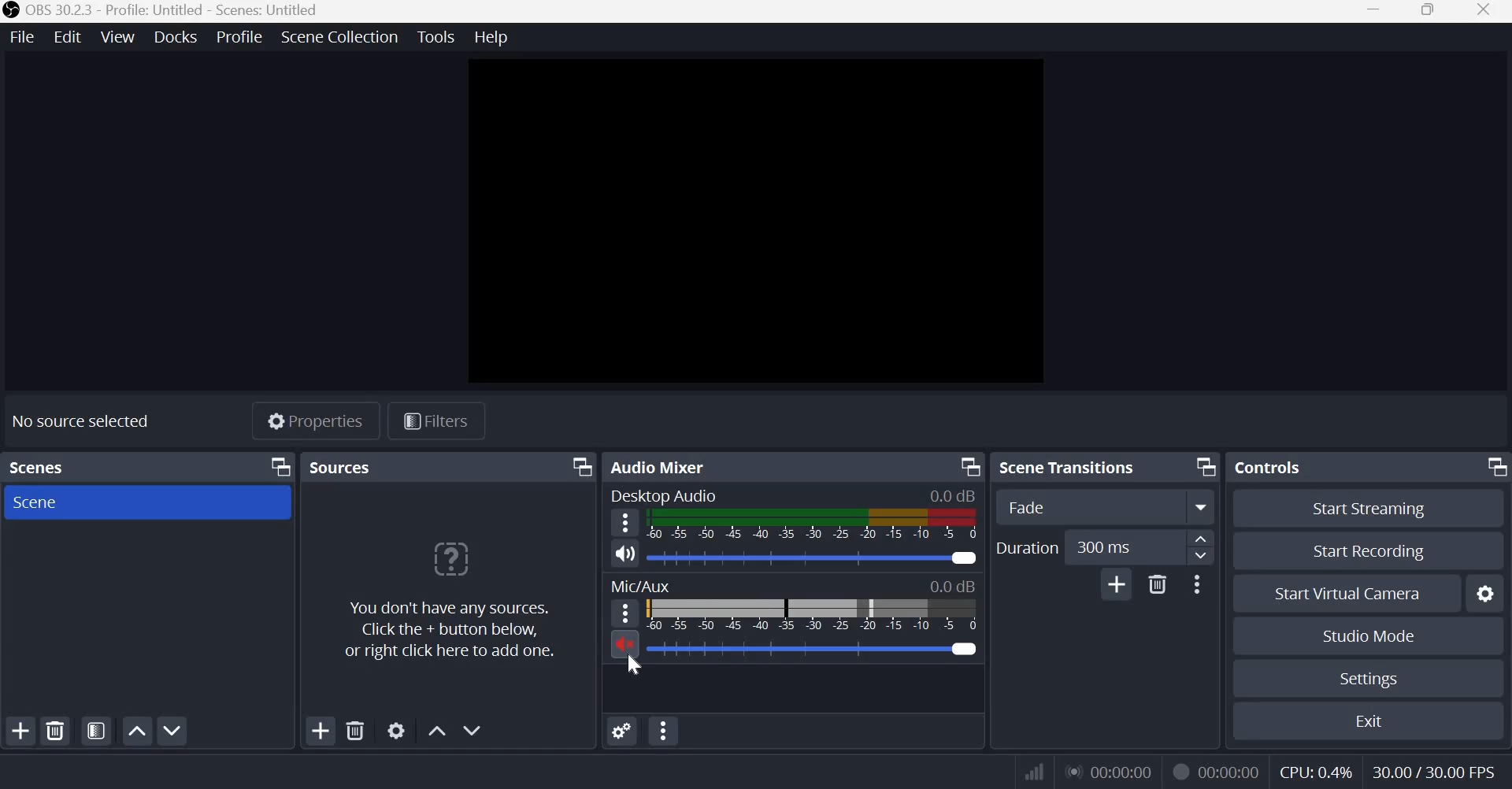 This screenshot has height=789, width=1512. Describe the element at coordinates (1157, 584) in the screenshot. I see `Delete Transition ` at that location.